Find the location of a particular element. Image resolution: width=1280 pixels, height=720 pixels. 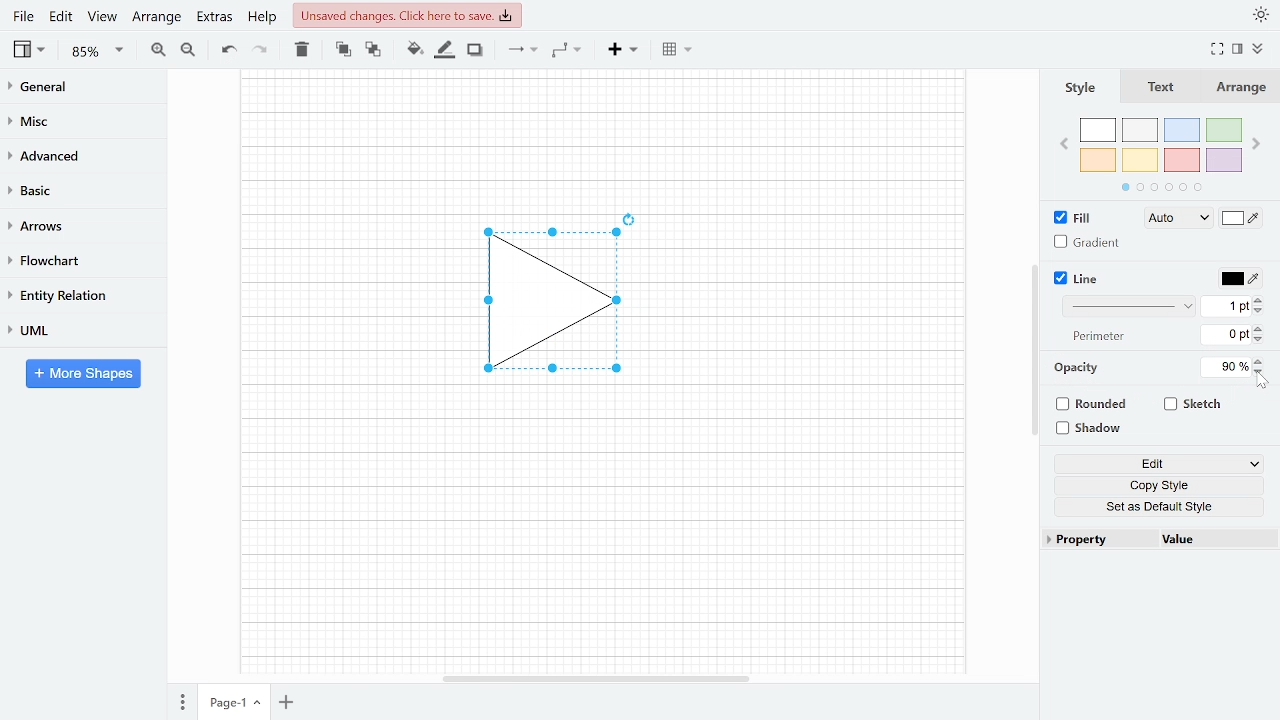

workspace is located at coordinates (343, 302).